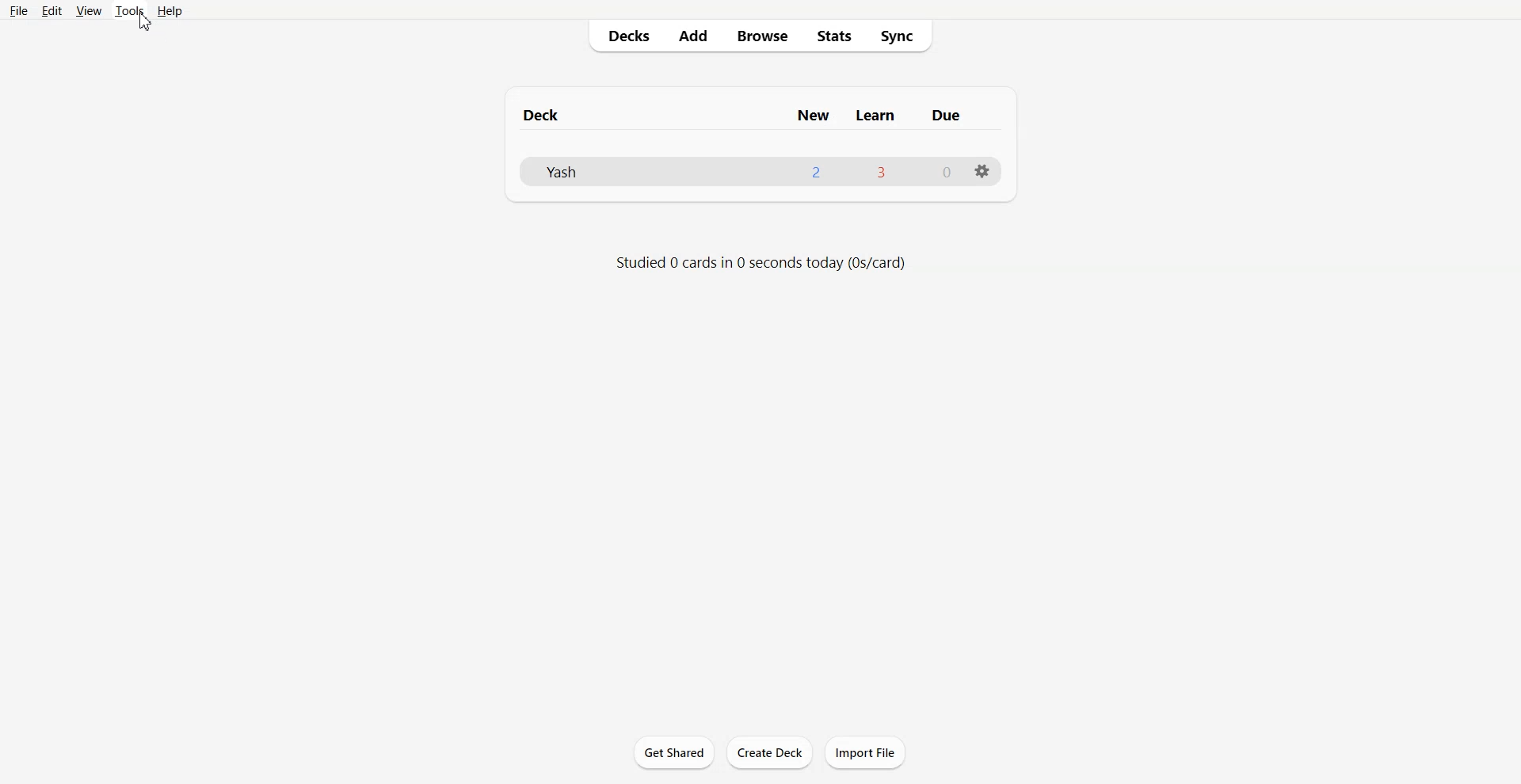  I want to click on Browse, so click(763, 36).